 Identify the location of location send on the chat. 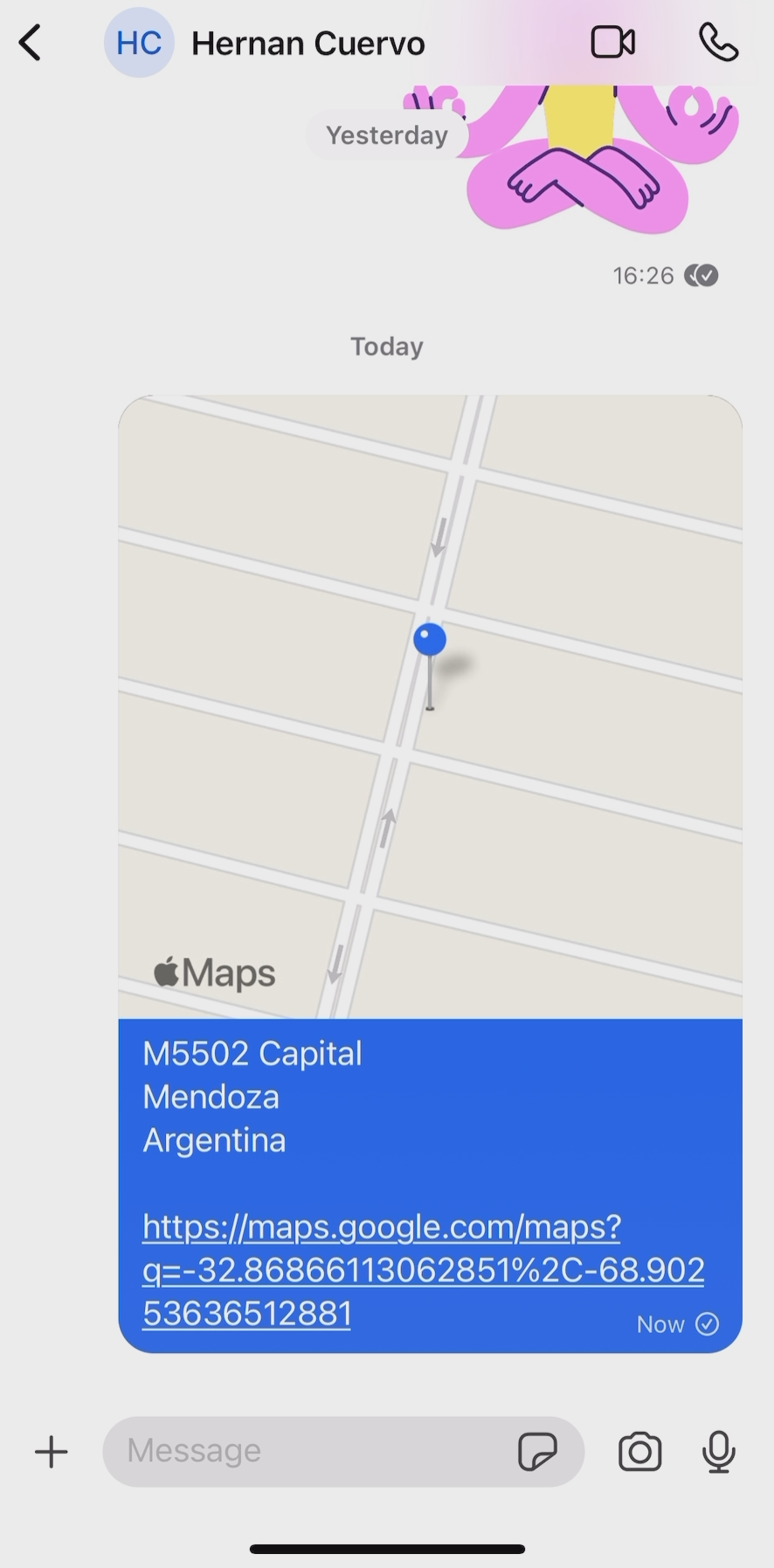
(432, 874).